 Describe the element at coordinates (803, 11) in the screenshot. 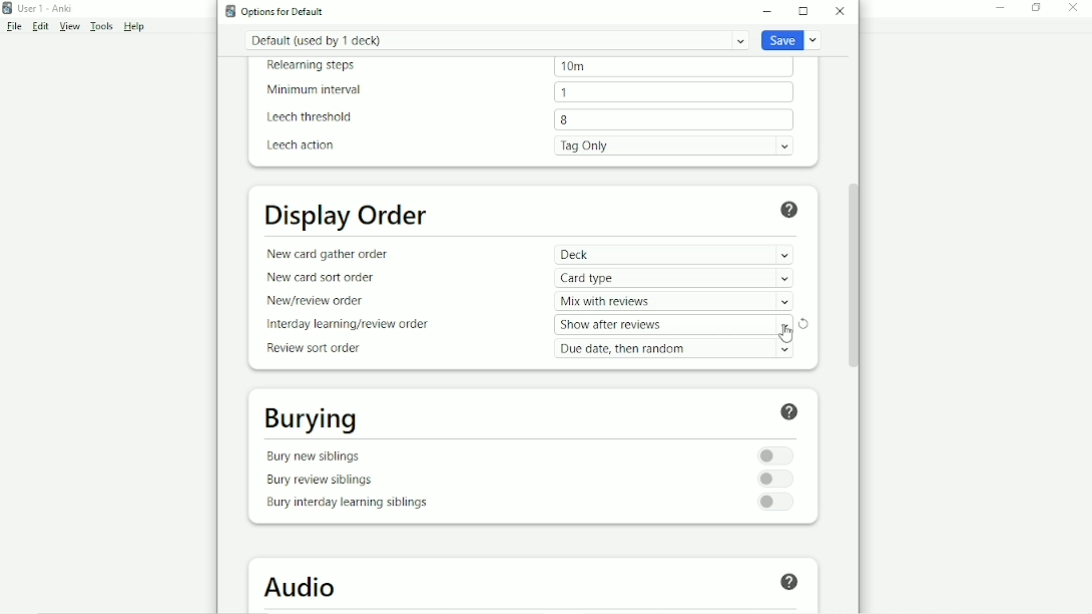

I see `Maximize` at that location.